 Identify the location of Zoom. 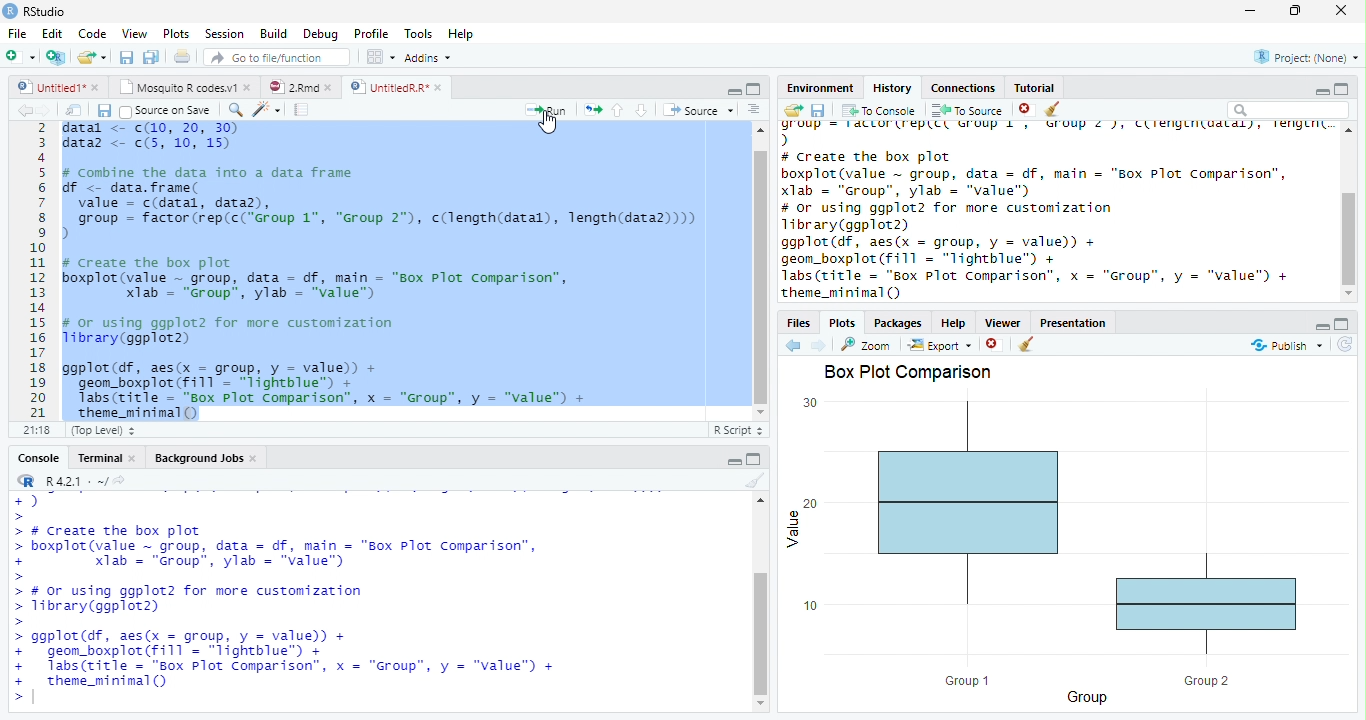
(866, 345).